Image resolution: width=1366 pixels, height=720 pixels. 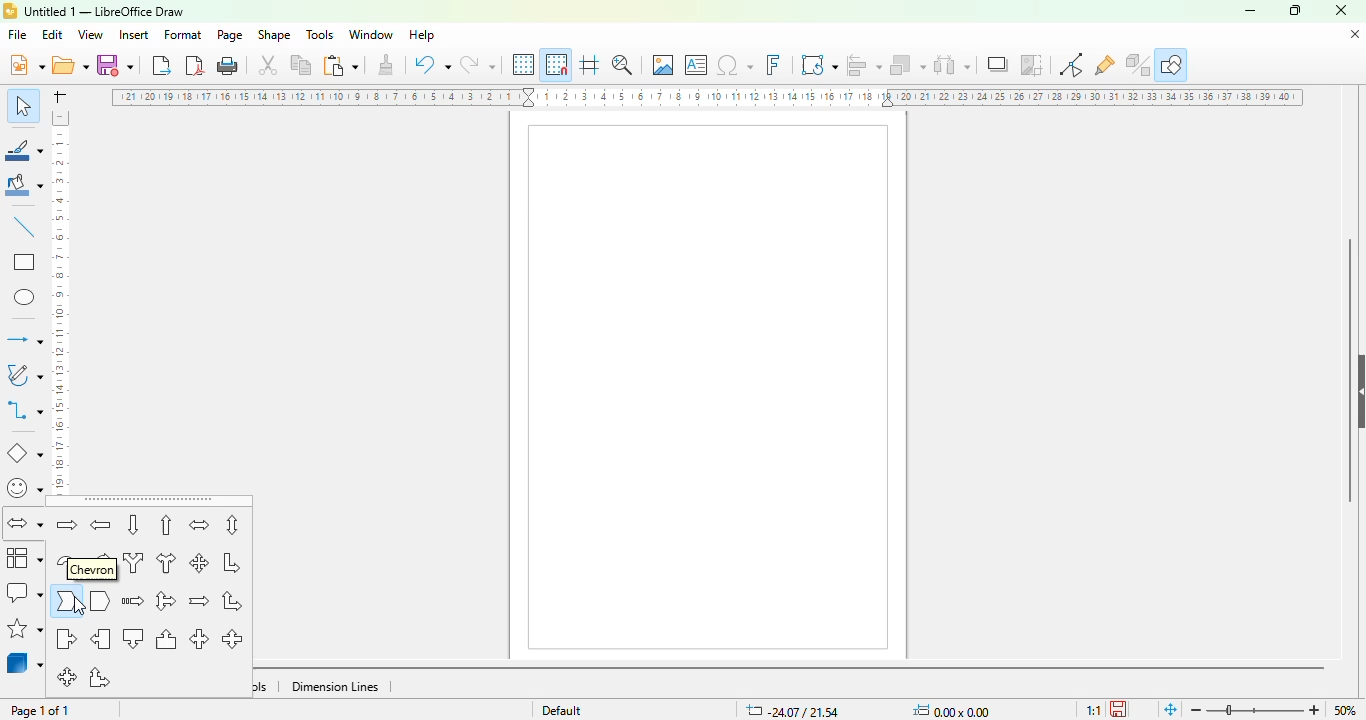 What do you see at coordinates (133, 639) in the screenshot?
I see `down arrow callout` at bounding box center [133, 639].